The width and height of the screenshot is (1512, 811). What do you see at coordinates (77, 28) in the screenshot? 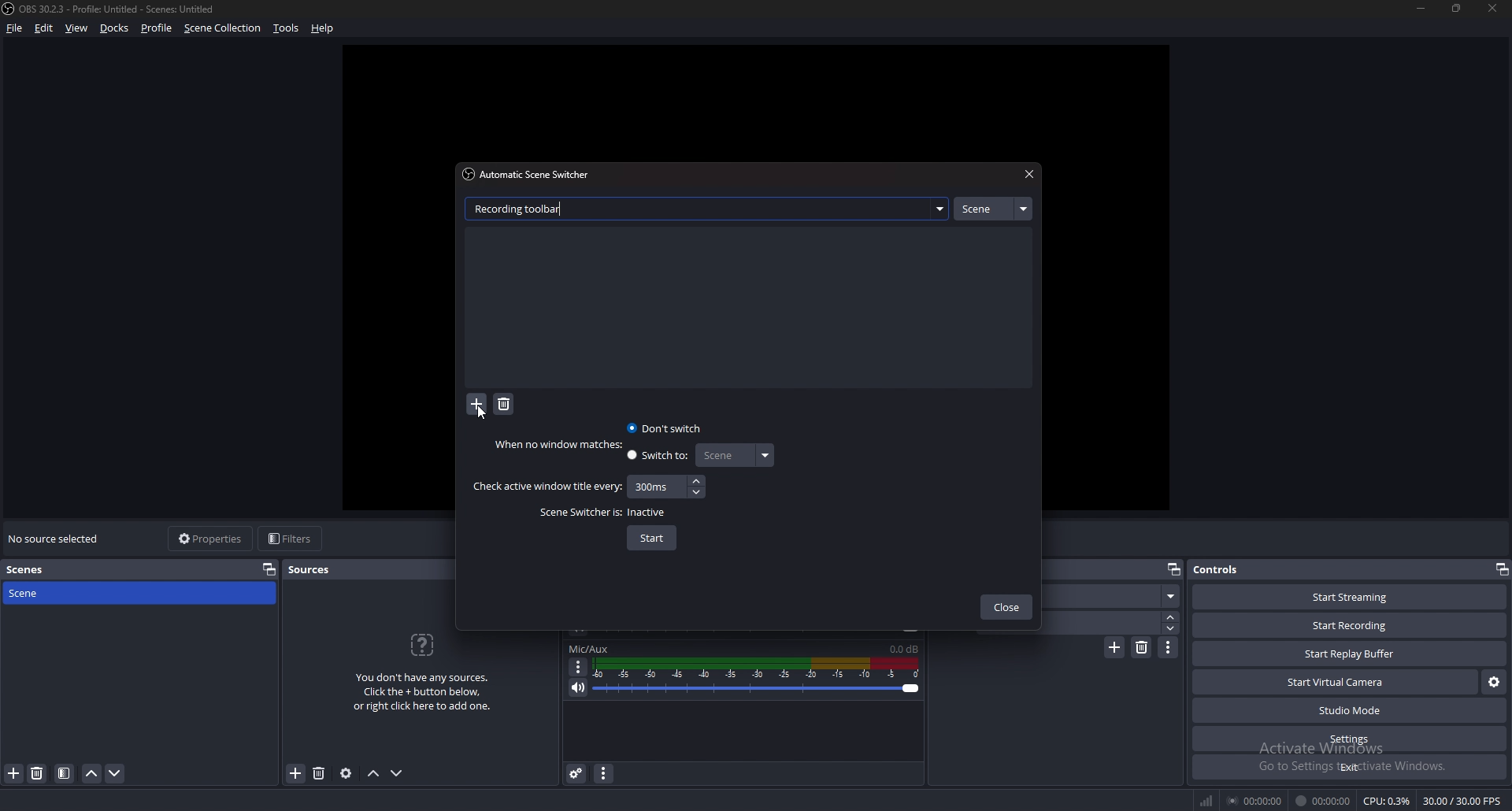
I see `view` at bounding box center [77, 28].